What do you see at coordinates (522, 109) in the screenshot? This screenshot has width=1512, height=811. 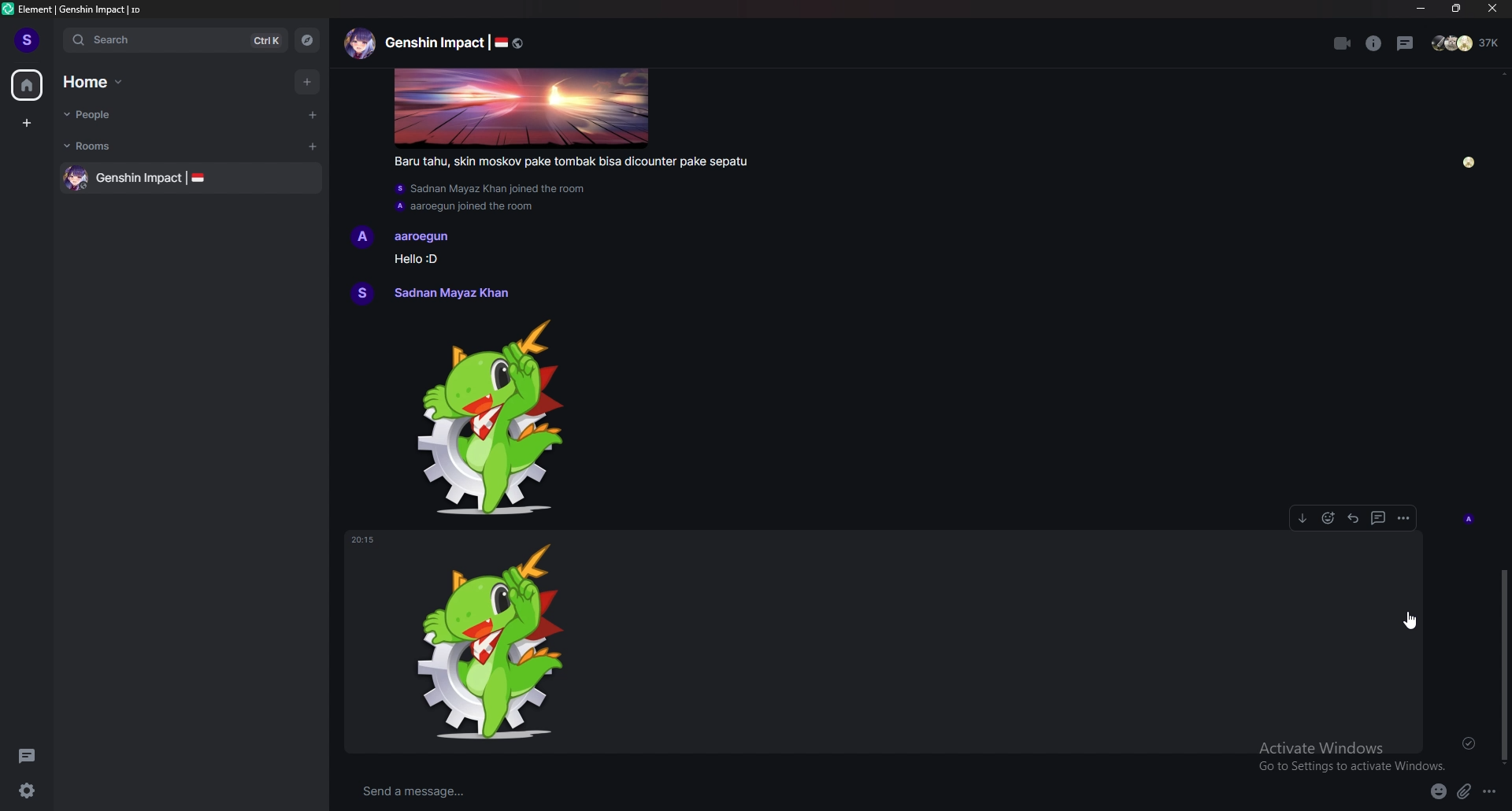 I see `Image sent by group participant` at bounding box center [522, 109].